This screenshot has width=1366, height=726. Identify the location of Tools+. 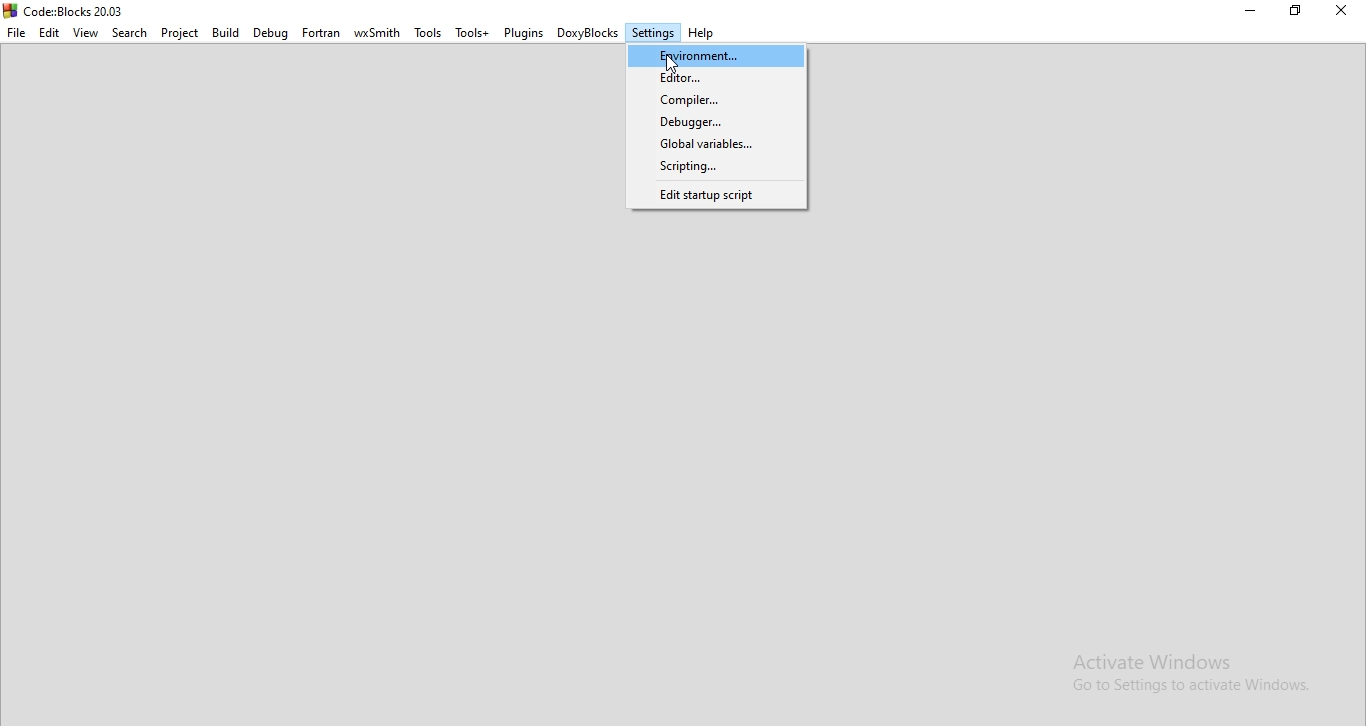
(472, 34).